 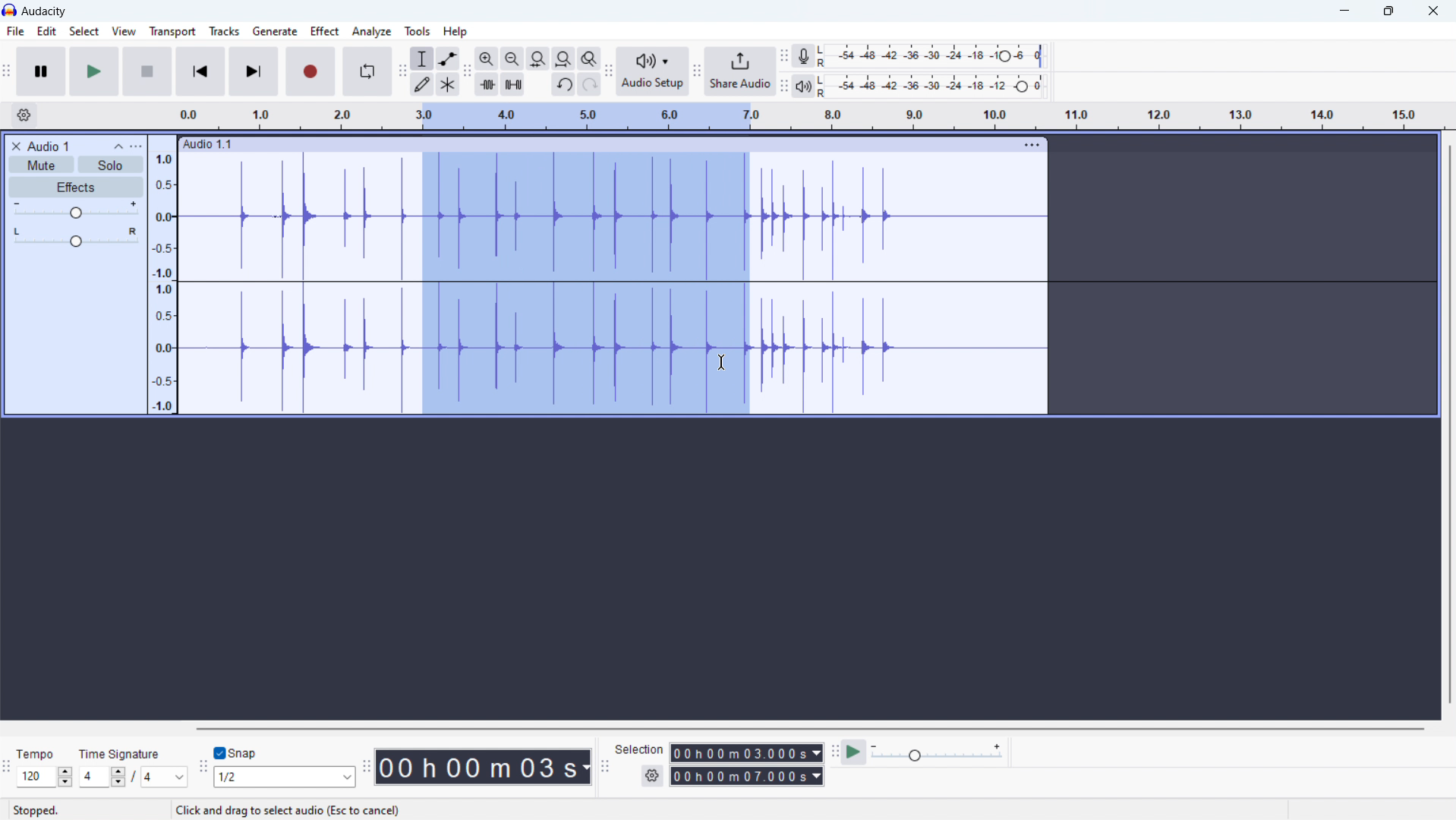 I want to click on play at speed, so click(x=854, y=752).